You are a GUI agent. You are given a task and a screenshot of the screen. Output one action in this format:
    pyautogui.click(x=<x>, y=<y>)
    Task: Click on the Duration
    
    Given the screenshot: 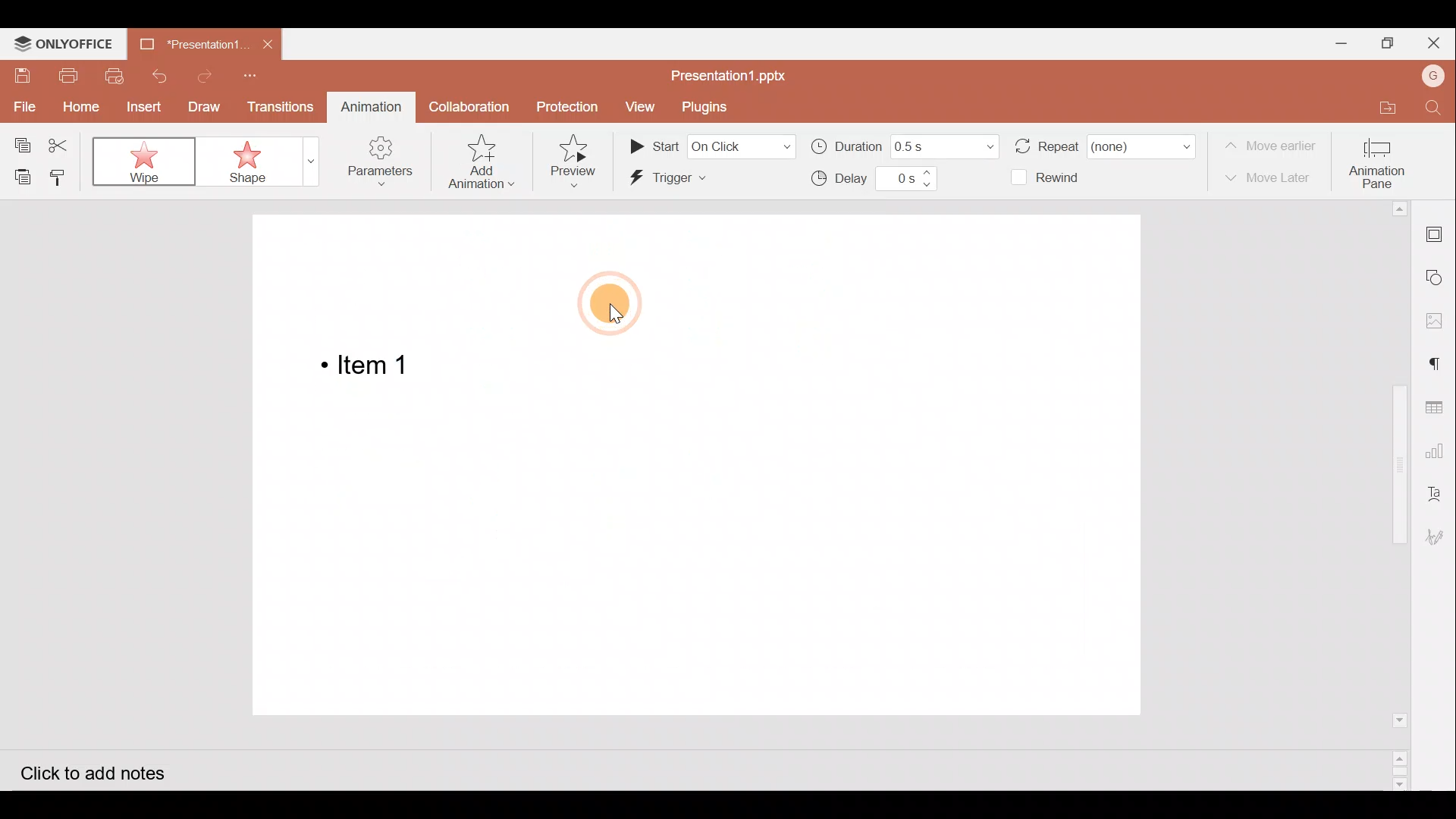 What is the action you would take?
    pyautogui.click(x=904, y=145)
    